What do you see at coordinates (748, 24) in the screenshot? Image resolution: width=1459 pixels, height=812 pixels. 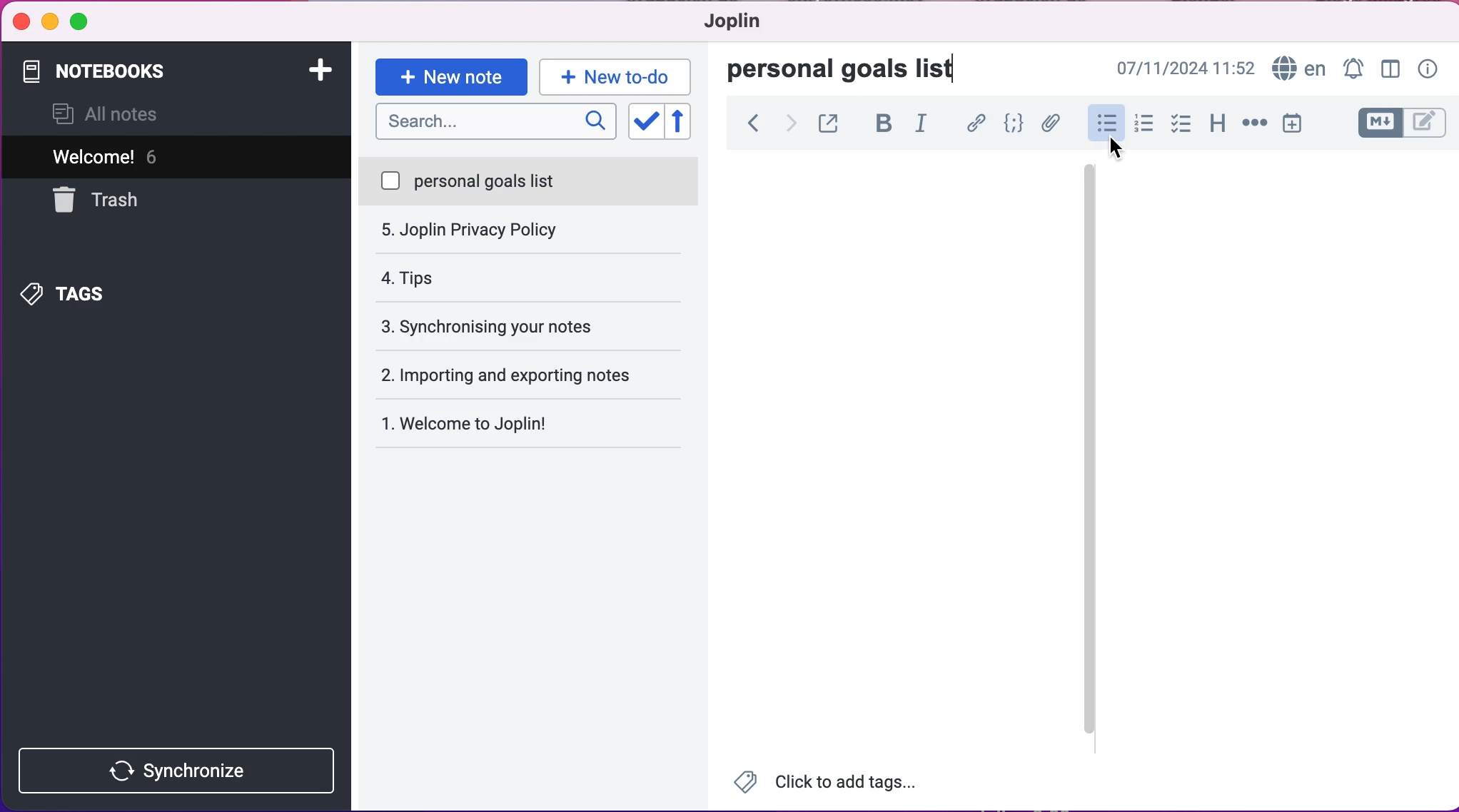 I see `joplin` at bounding box center [748, 24].